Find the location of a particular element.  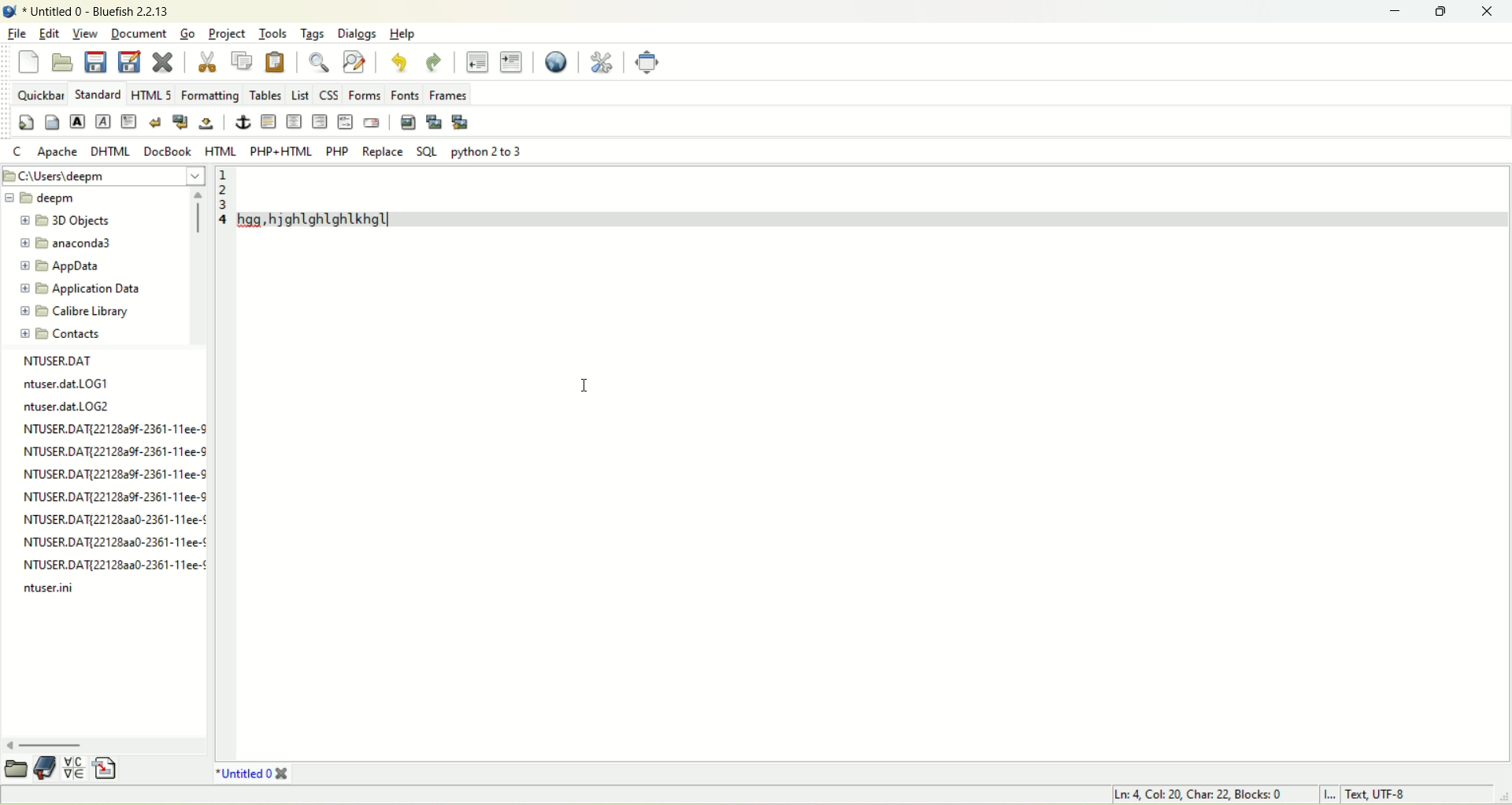

save is located at coordinates (95, 61).